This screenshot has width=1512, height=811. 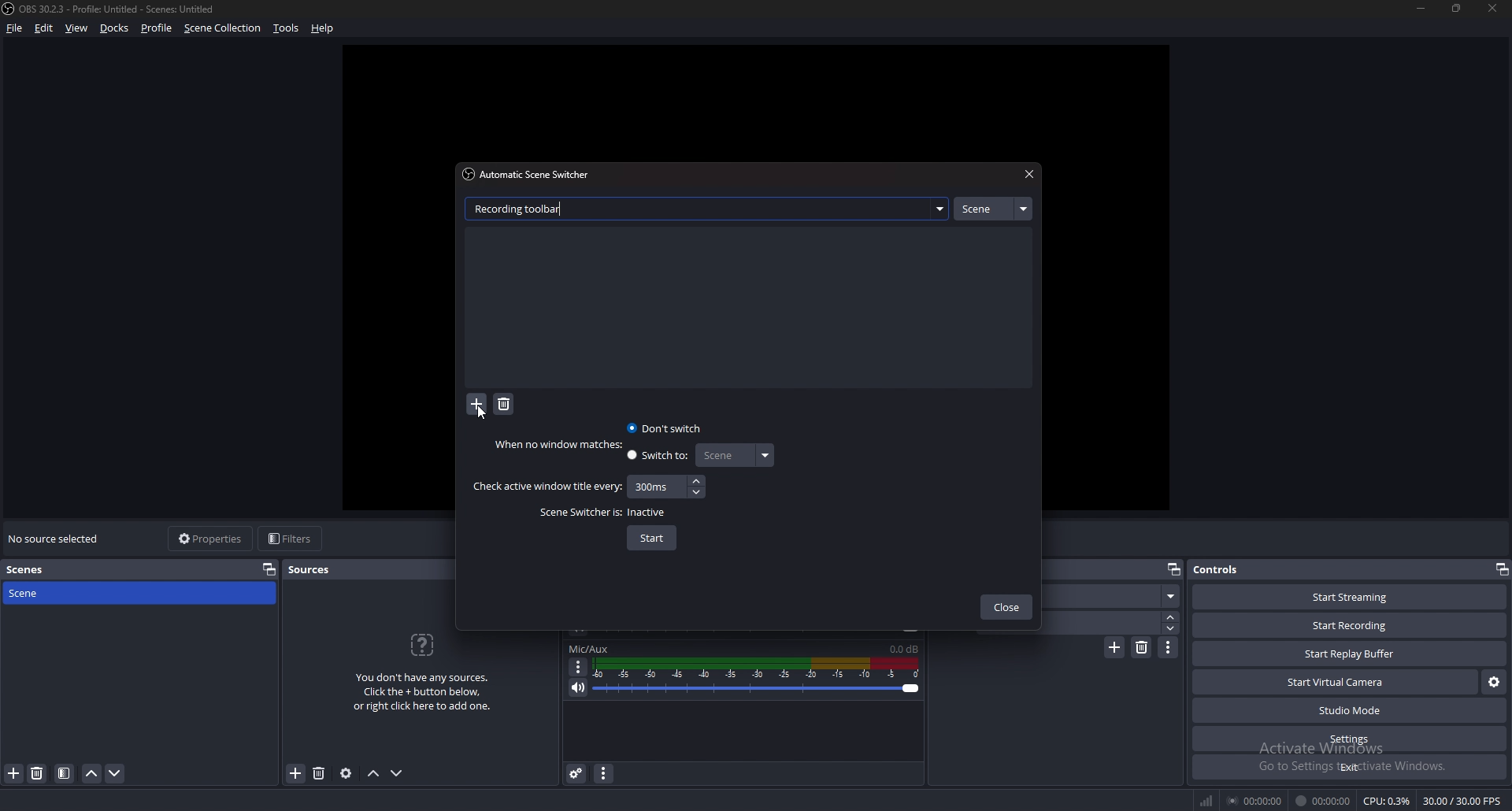 What do you see at coordinates (1489, 7) in the screenshot?
I see `close` at bounding box center [1489, 7].